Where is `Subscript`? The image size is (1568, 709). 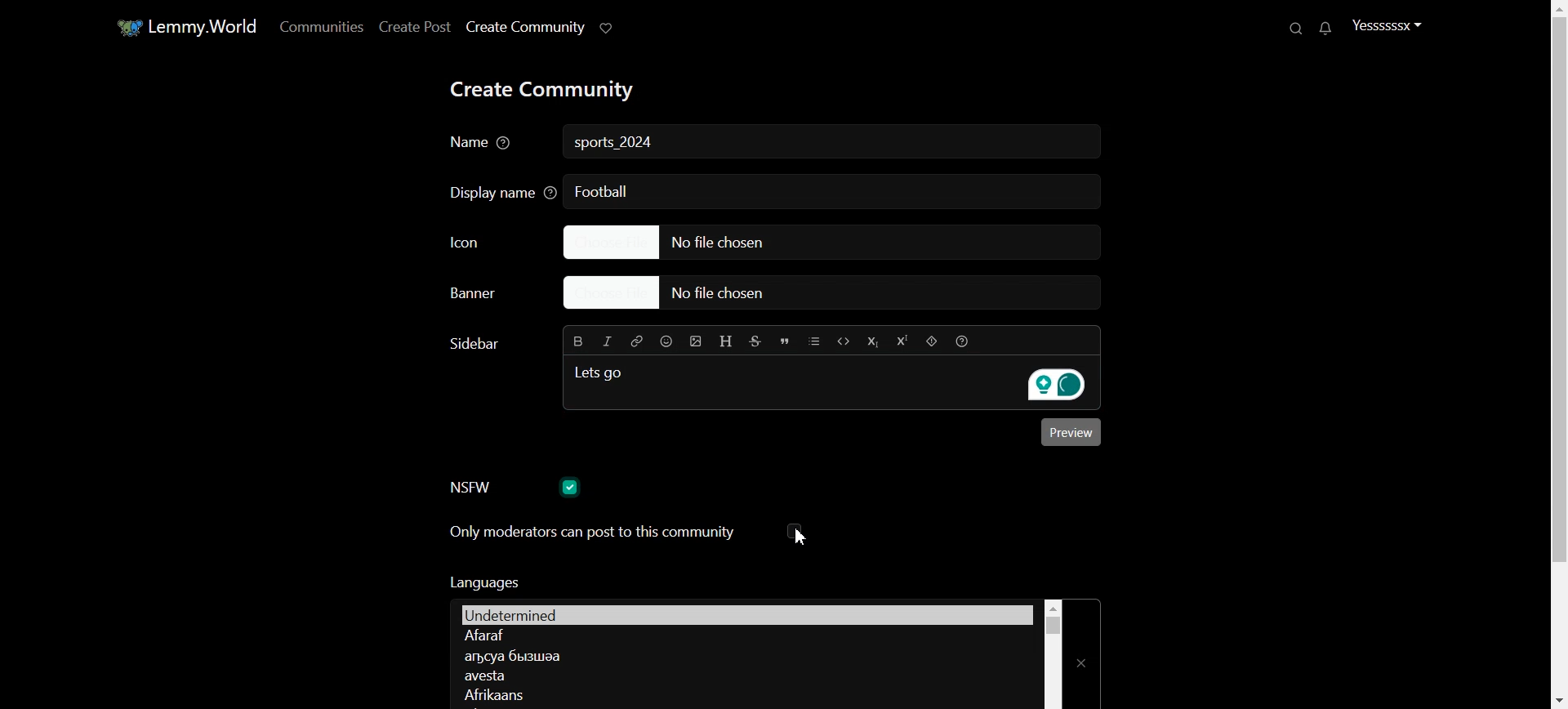
Subscript is located at coordinates (871, 341).